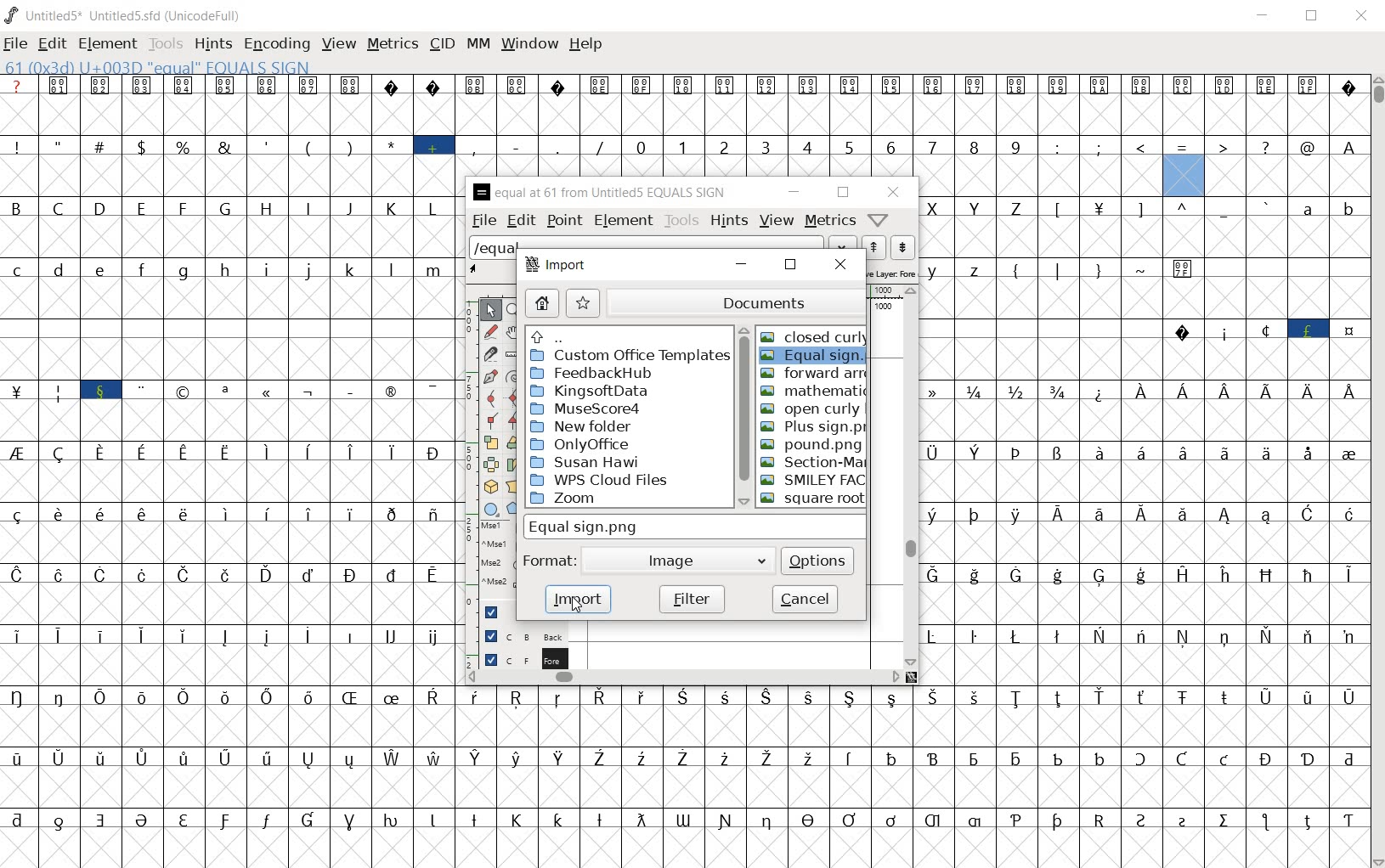 This screenshot has height=868, width=1385. I want to click on Rotate the selection, so click(514, 444).